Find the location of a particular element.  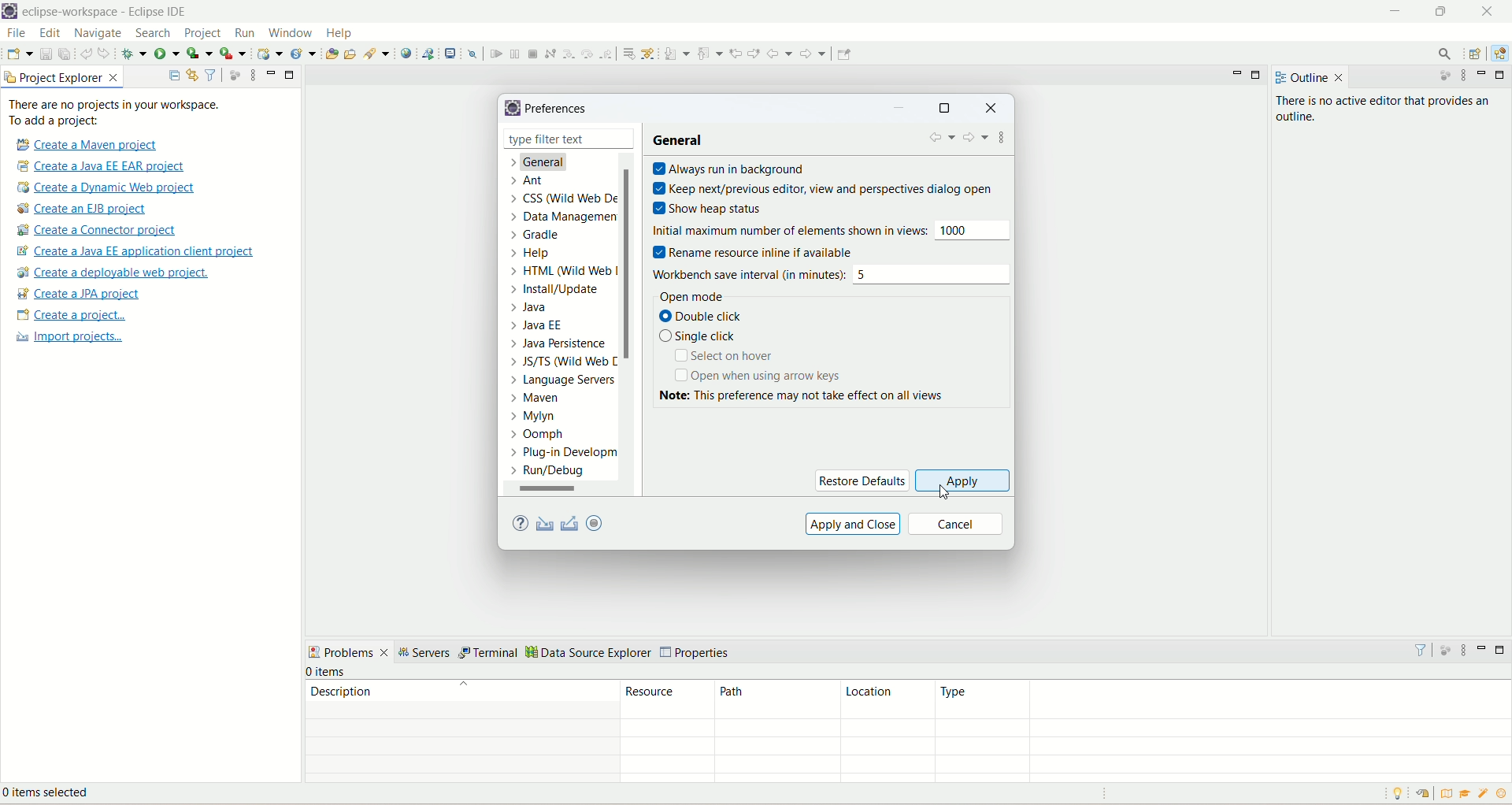

back is located at coordinates (941, 140).